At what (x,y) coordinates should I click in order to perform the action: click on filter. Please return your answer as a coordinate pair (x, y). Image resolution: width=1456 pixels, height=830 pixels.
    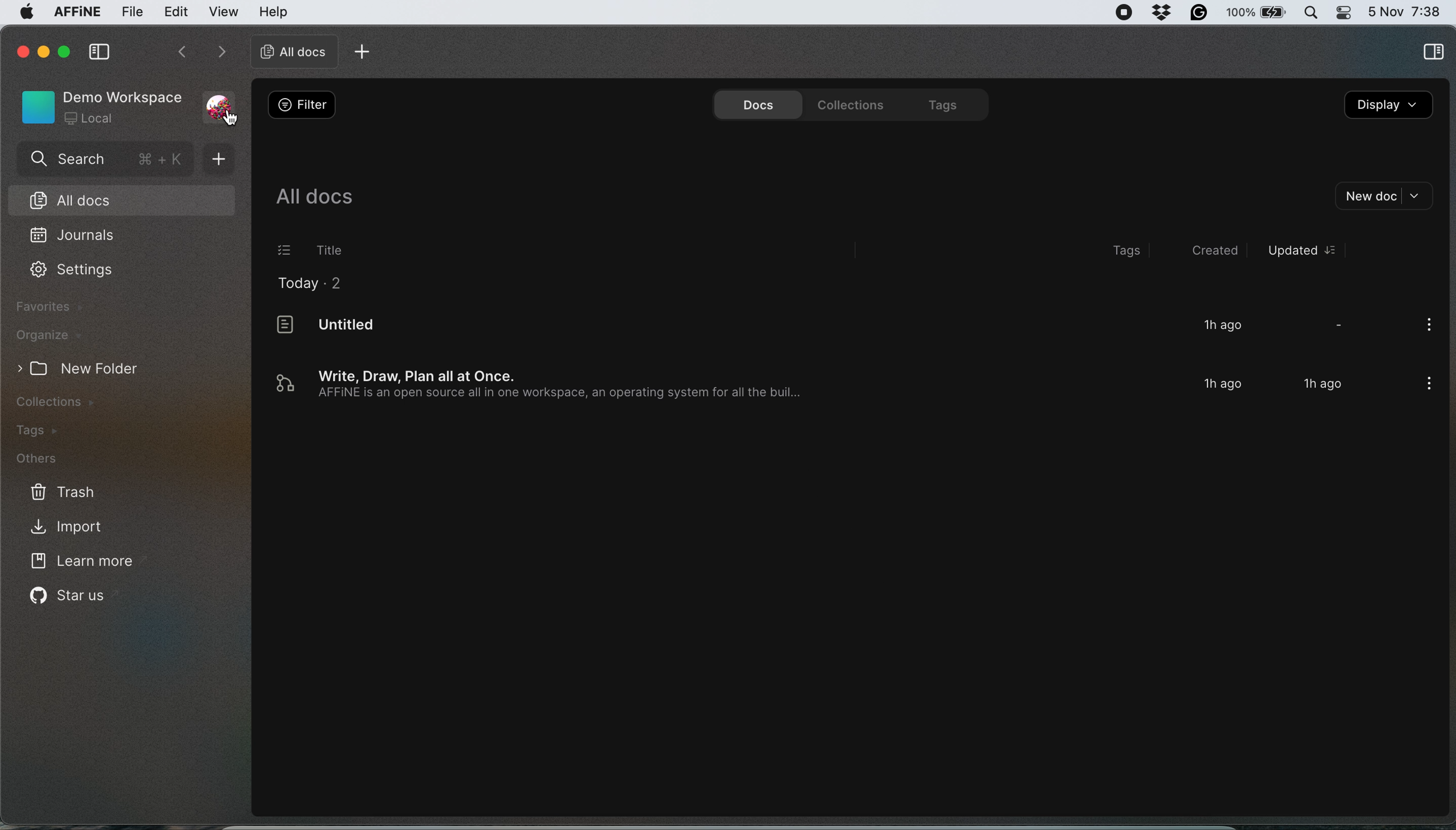
    Looking at the image, I should click on (303, 105).